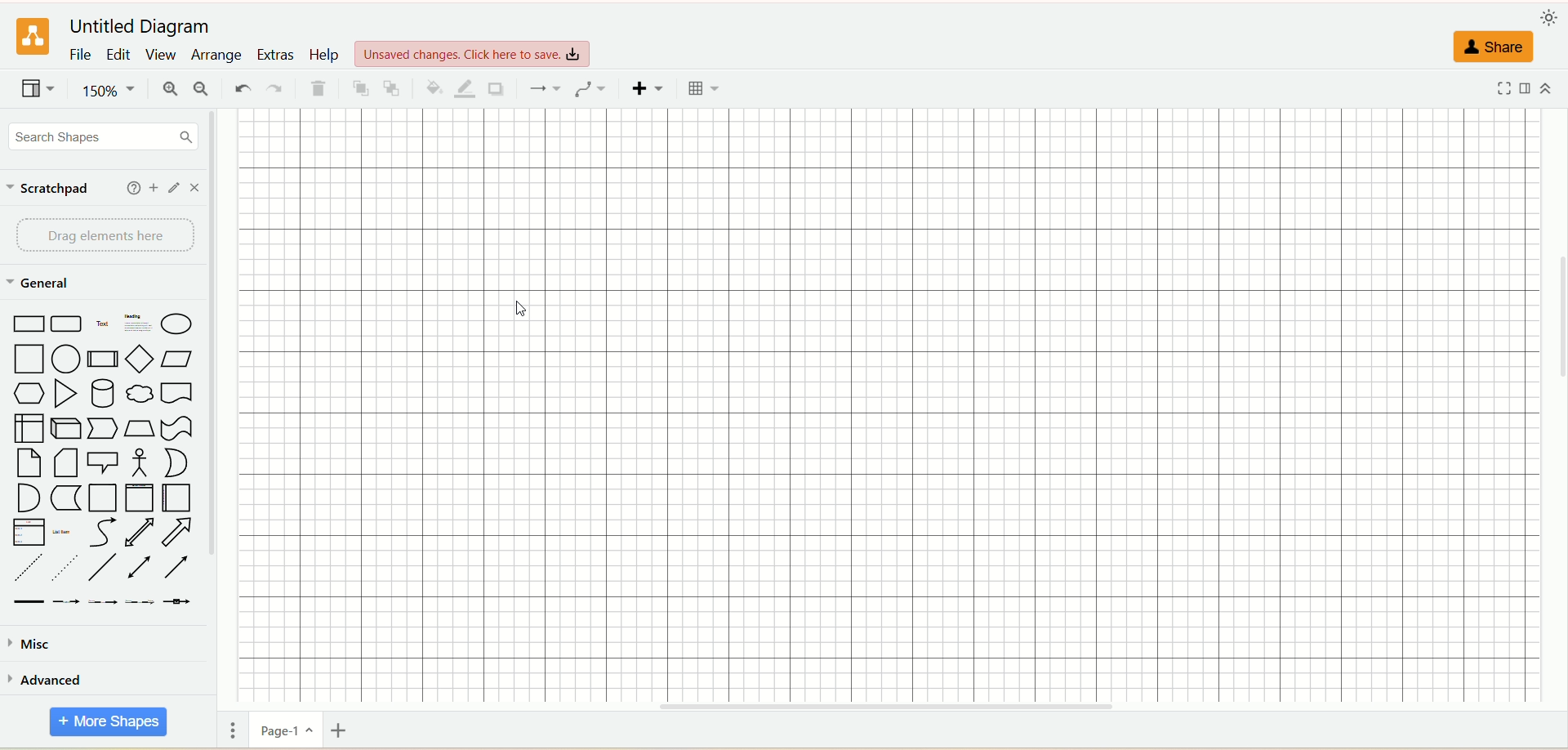 The image size is (1568, 750). I want to click on cube, so click(65, 426).